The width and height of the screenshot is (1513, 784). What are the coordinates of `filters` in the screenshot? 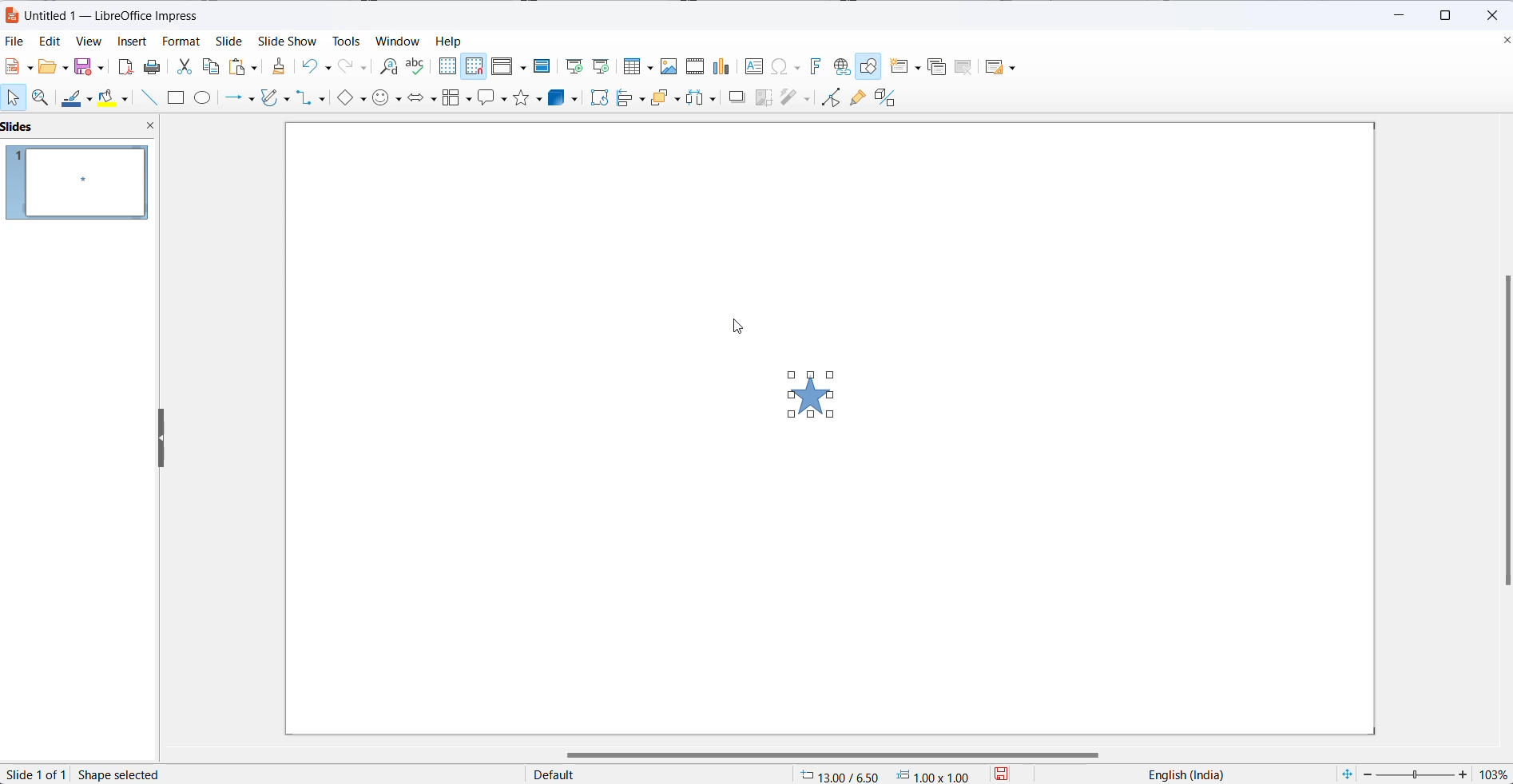 It's located at (794, 97).